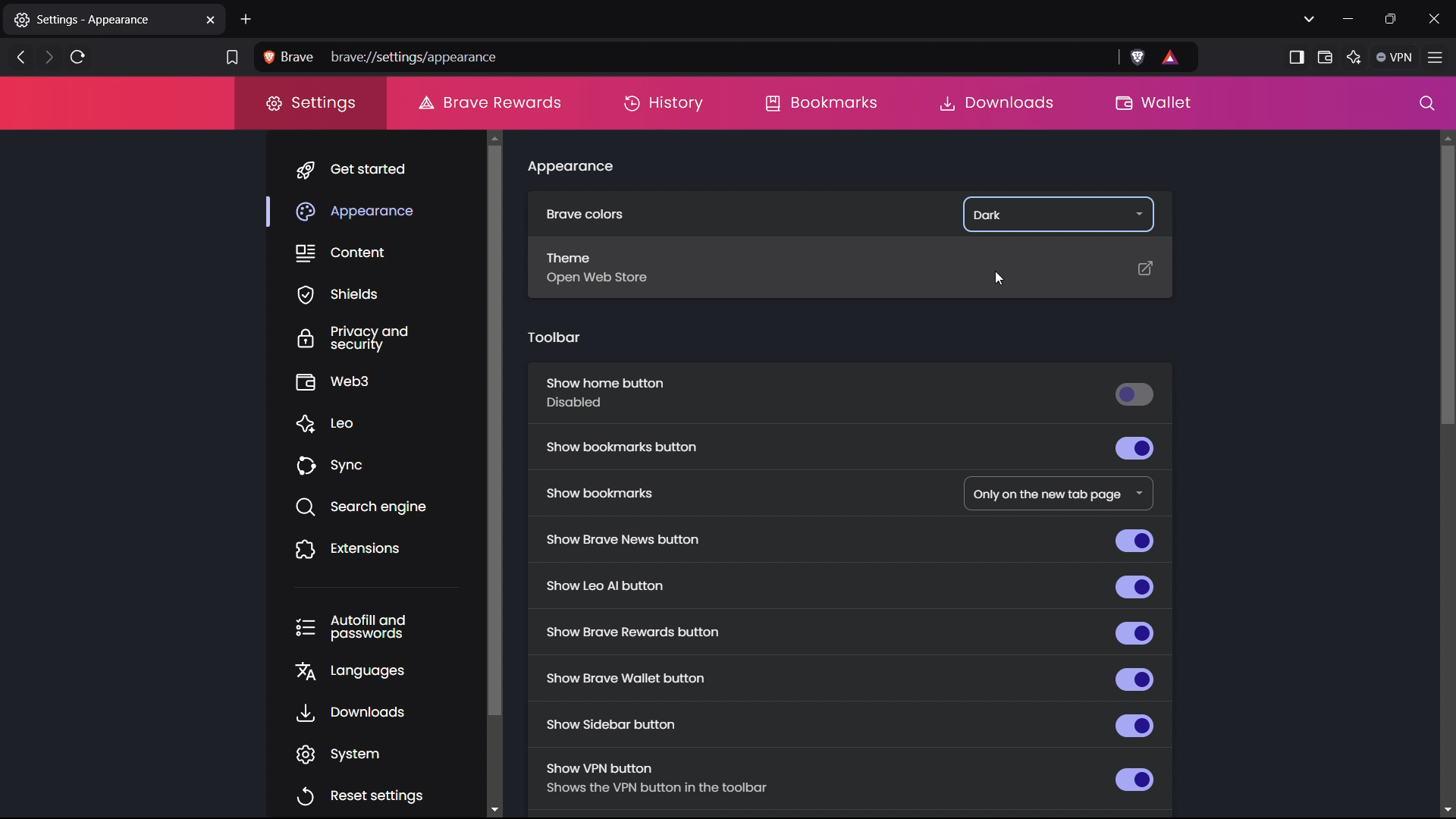 The width and height of the screenshot is (1456, 819). I want to click on close tab, so click(211, 21).